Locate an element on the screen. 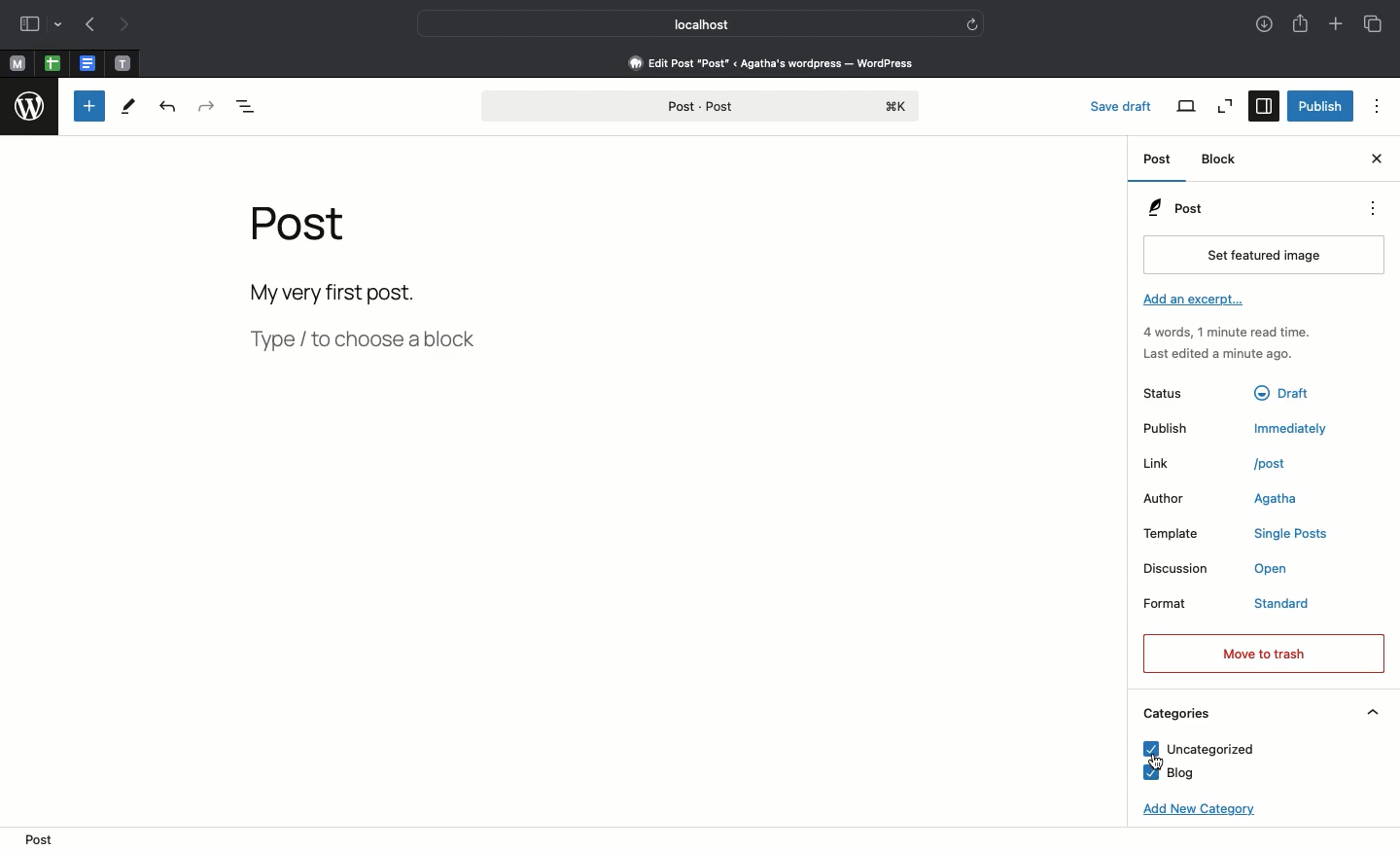 The width and height of the screenshot is (1400, 850). Sidebar is located at coordinates (1262, 107).